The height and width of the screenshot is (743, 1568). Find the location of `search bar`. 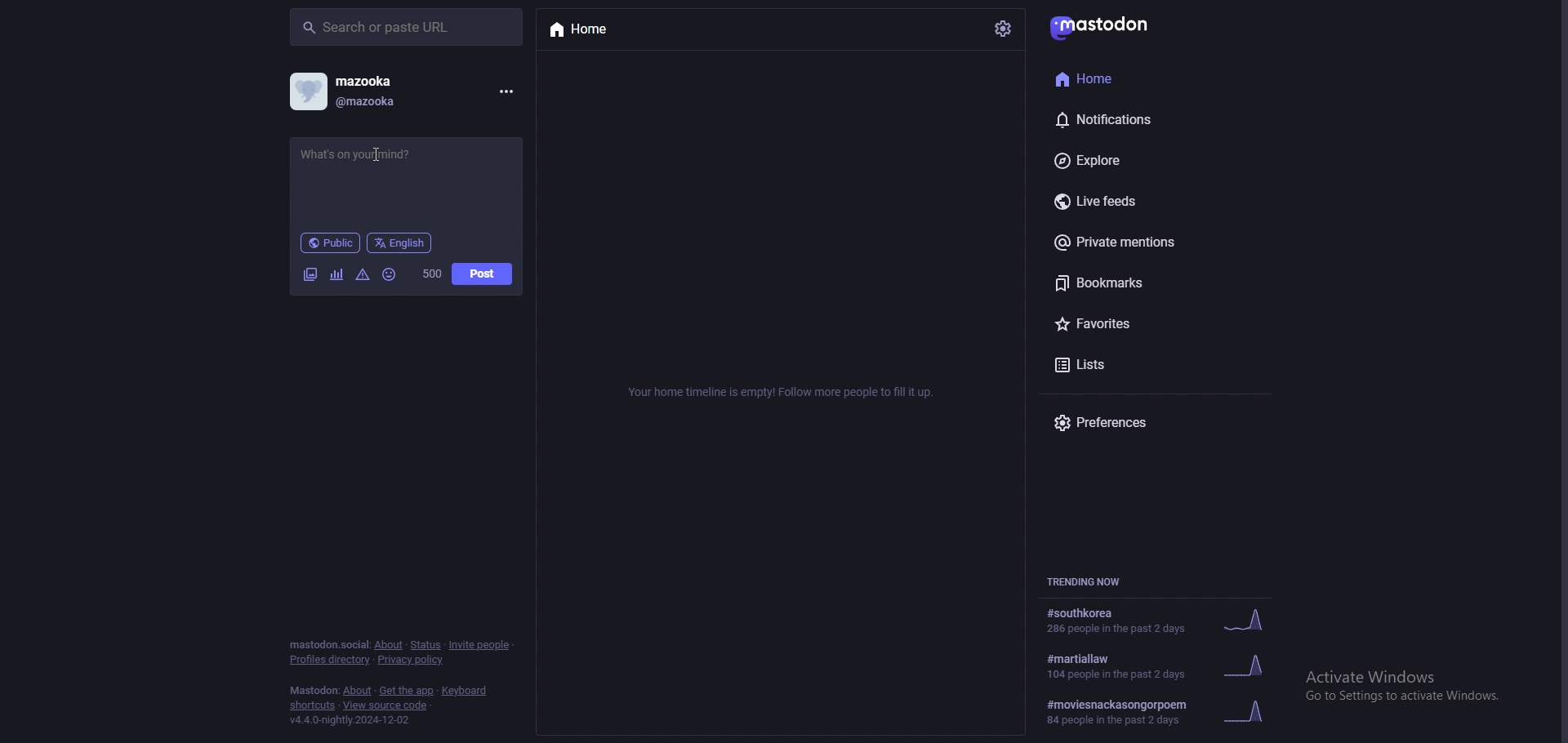

search bar is located at coordinates (408, 26).